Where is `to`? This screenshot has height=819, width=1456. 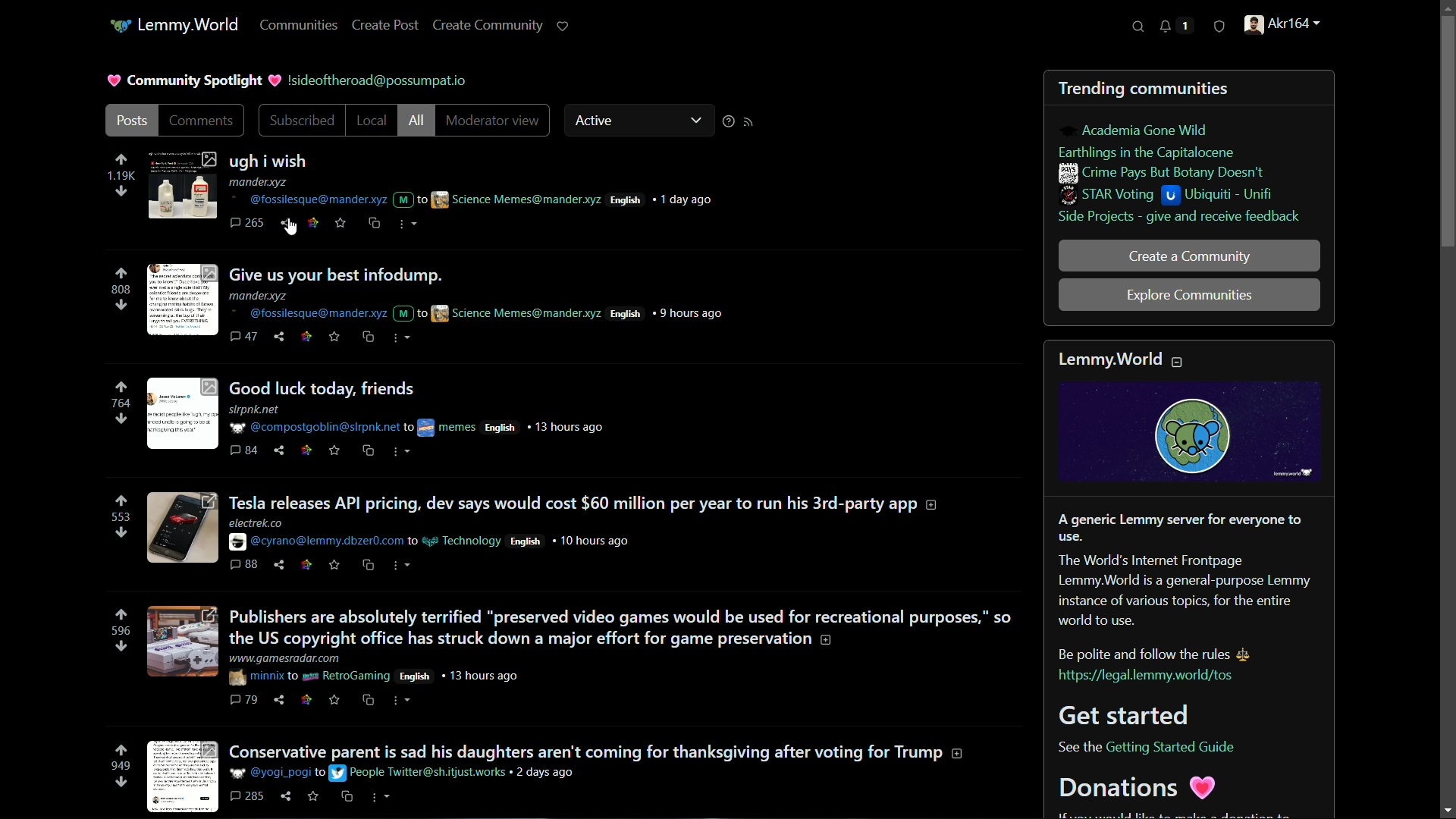
to is located at coordinates (409, 428).